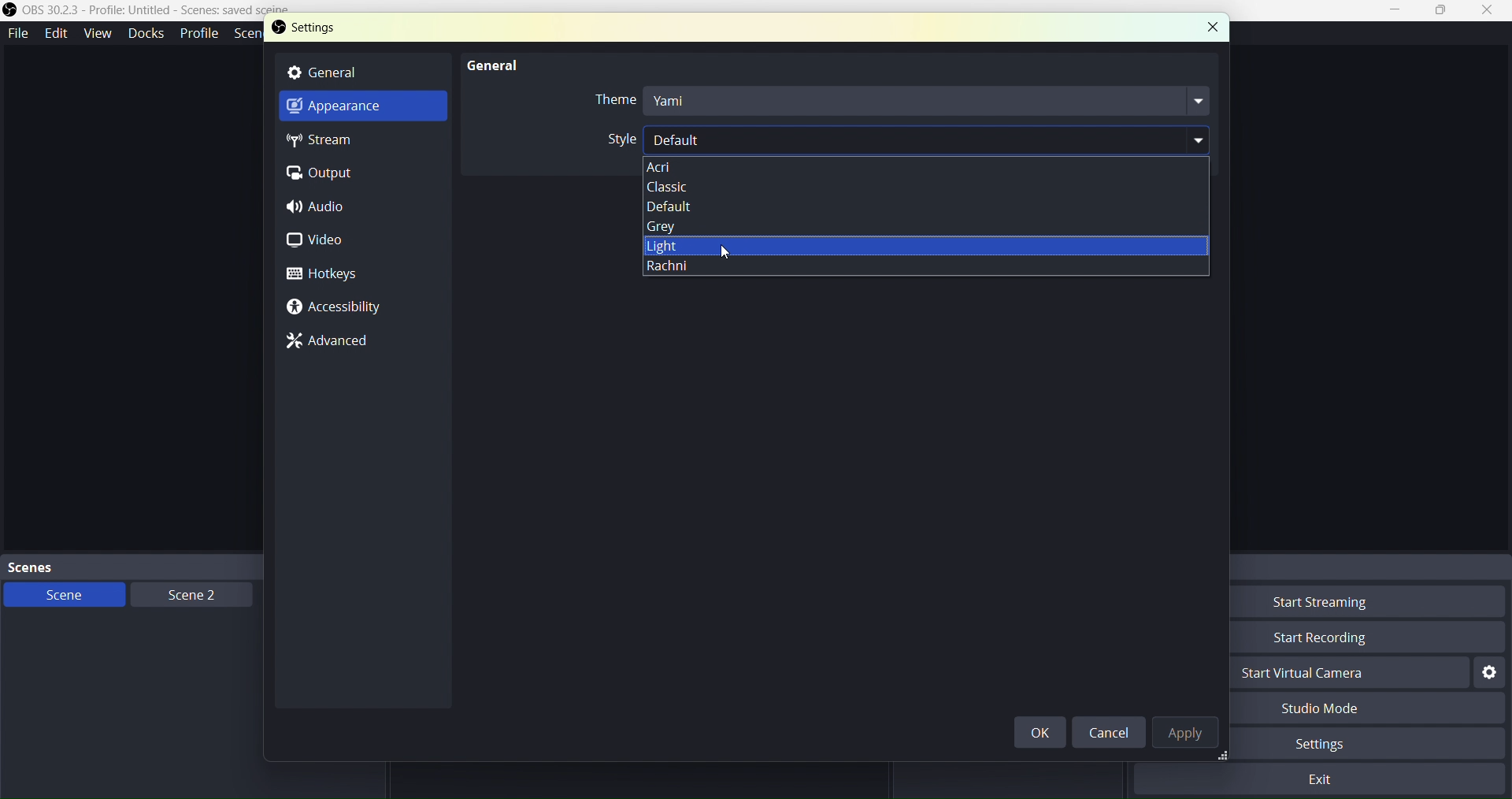 This screenshot has height=799, width=1512. I want to click on grey, so click(938, 225).